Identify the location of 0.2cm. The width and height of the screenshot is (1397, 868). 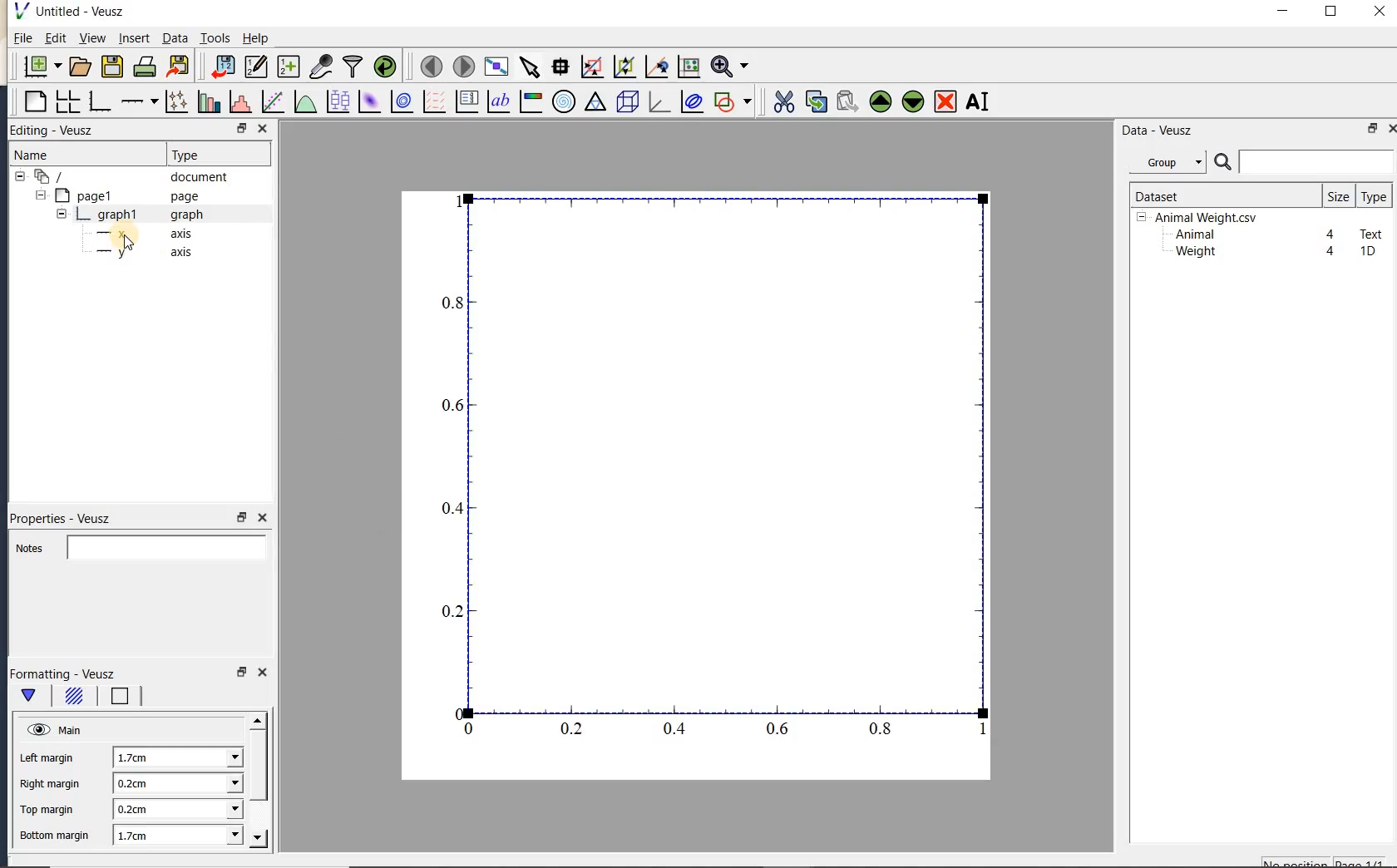
(178, 811).